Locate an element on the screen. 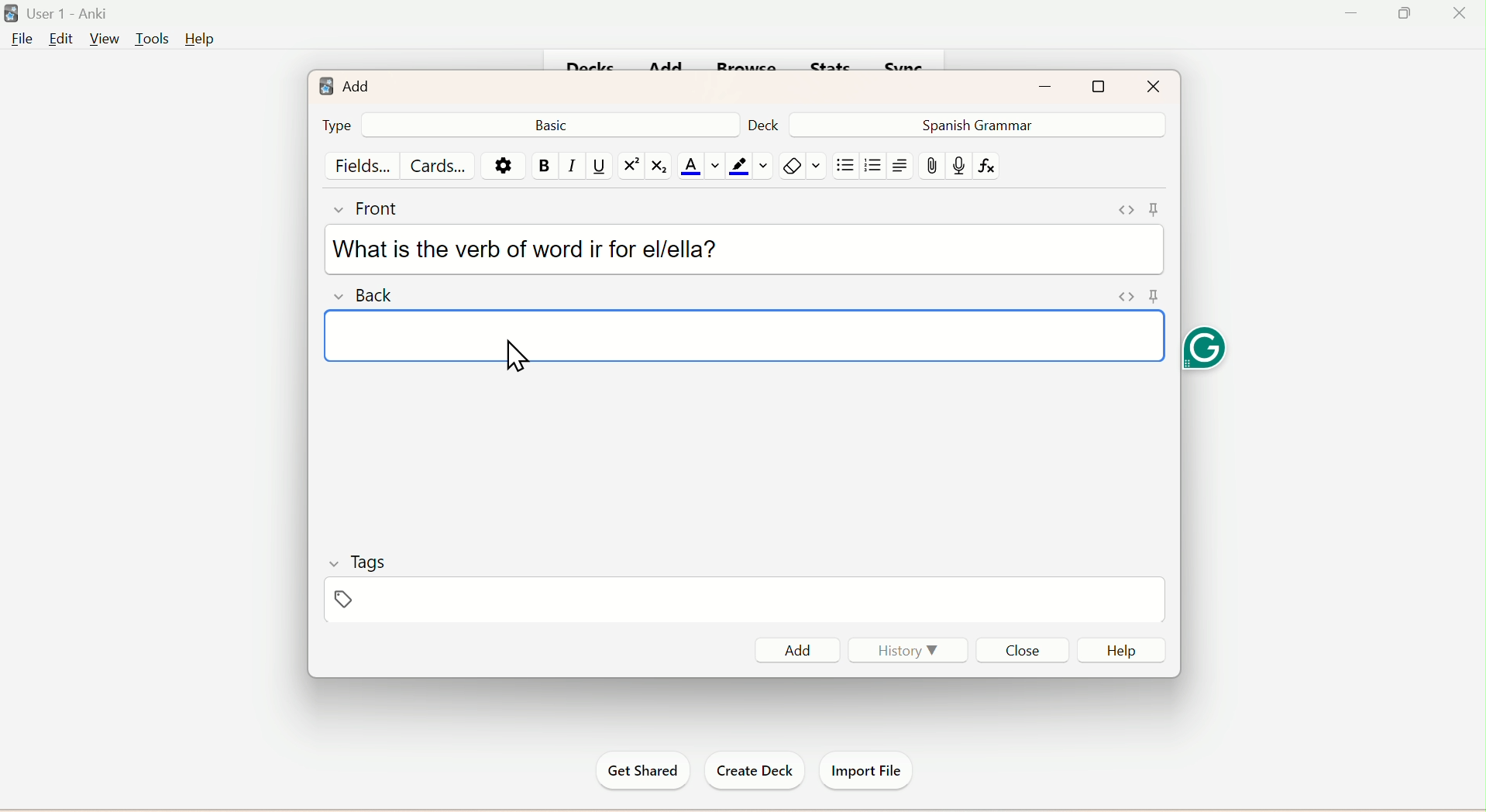 The image size is (1486, 812). Create Deck is located at coordinates (750, 771).